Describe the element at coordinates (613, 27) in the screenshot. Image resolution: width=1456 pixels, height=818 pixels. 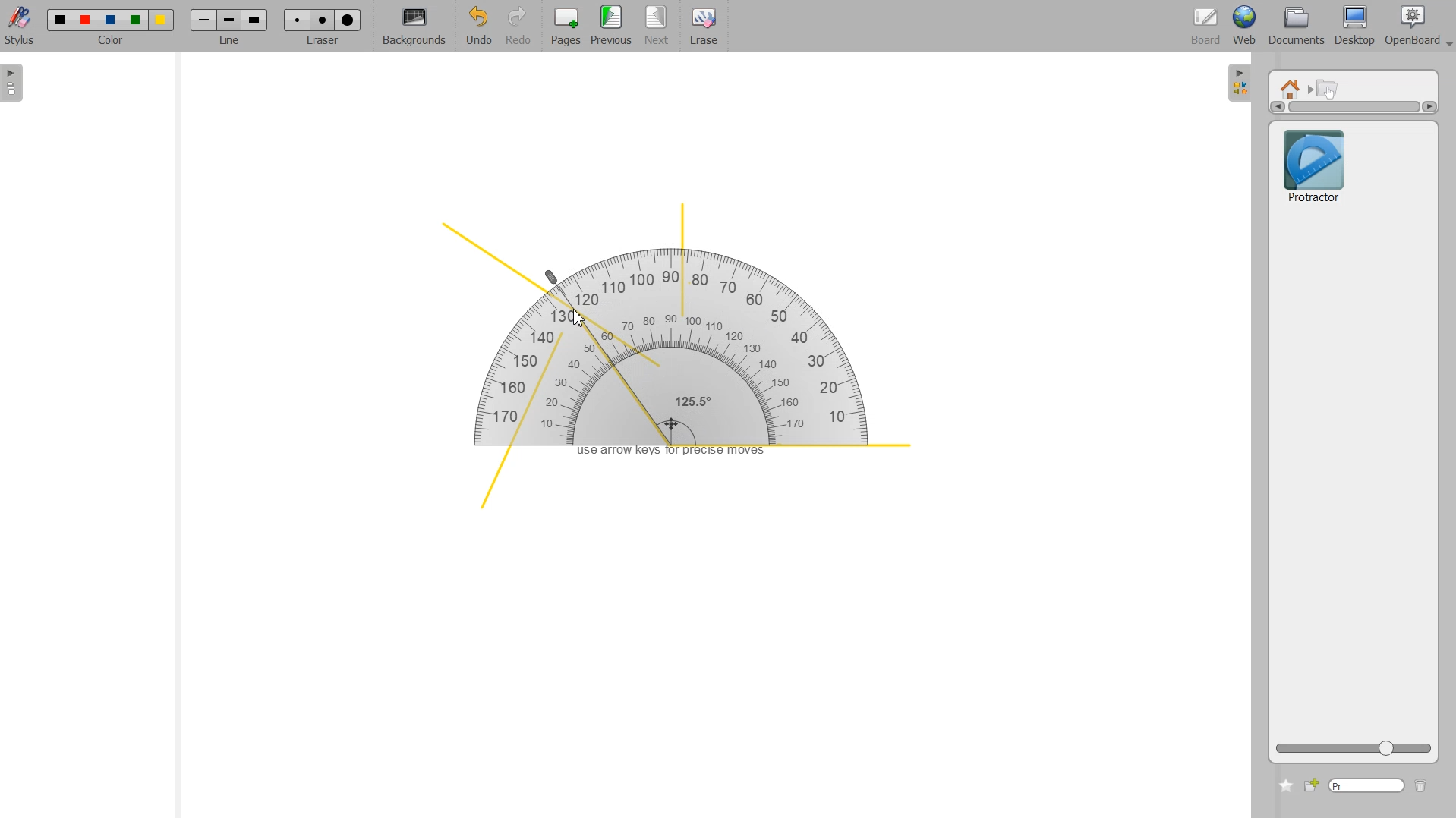
I see `Previous` at that location.